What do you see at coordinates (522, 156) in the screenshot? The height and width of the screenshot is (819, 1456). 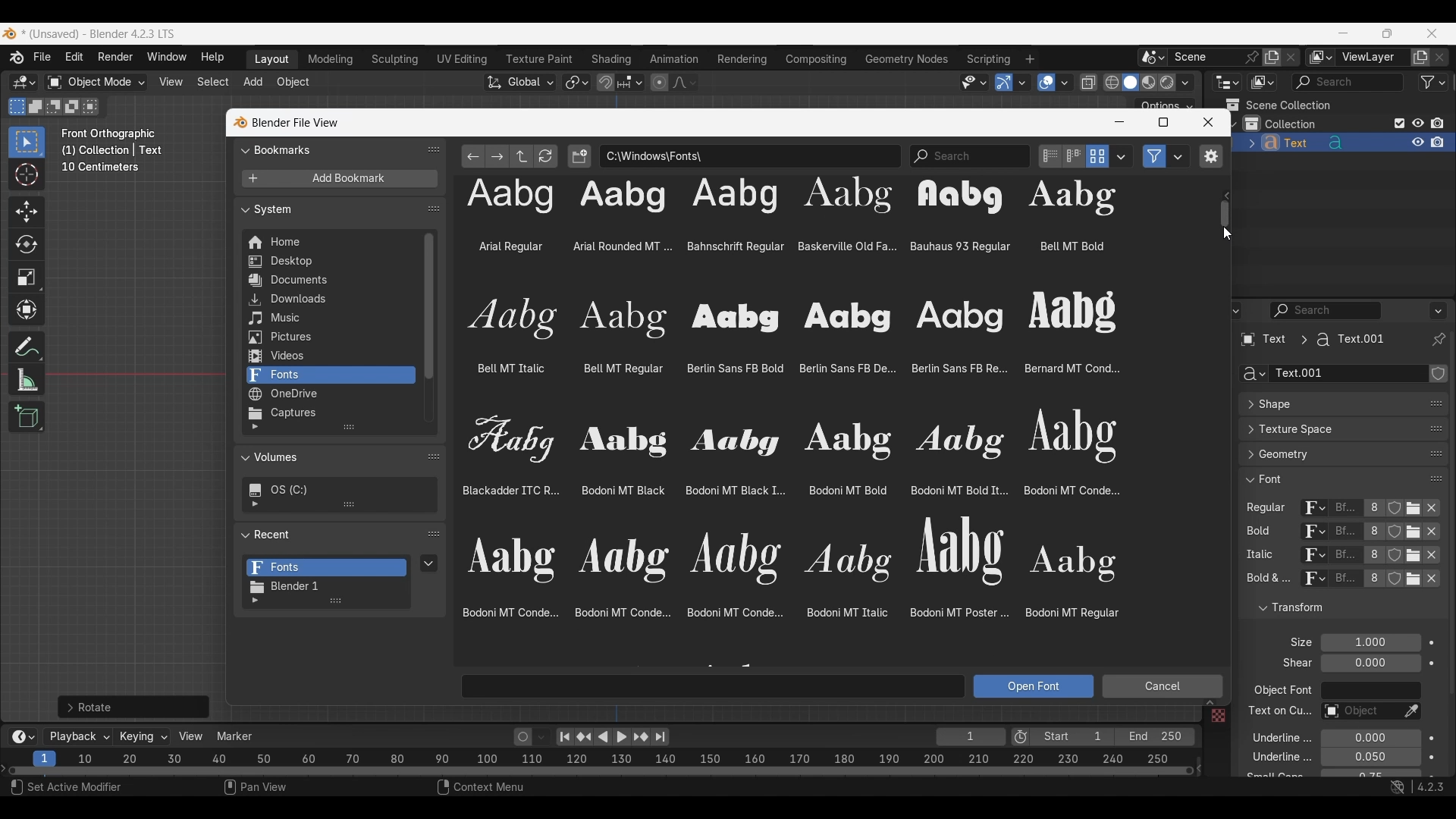 I see `Parent directory` at bounding box center [522, 156].